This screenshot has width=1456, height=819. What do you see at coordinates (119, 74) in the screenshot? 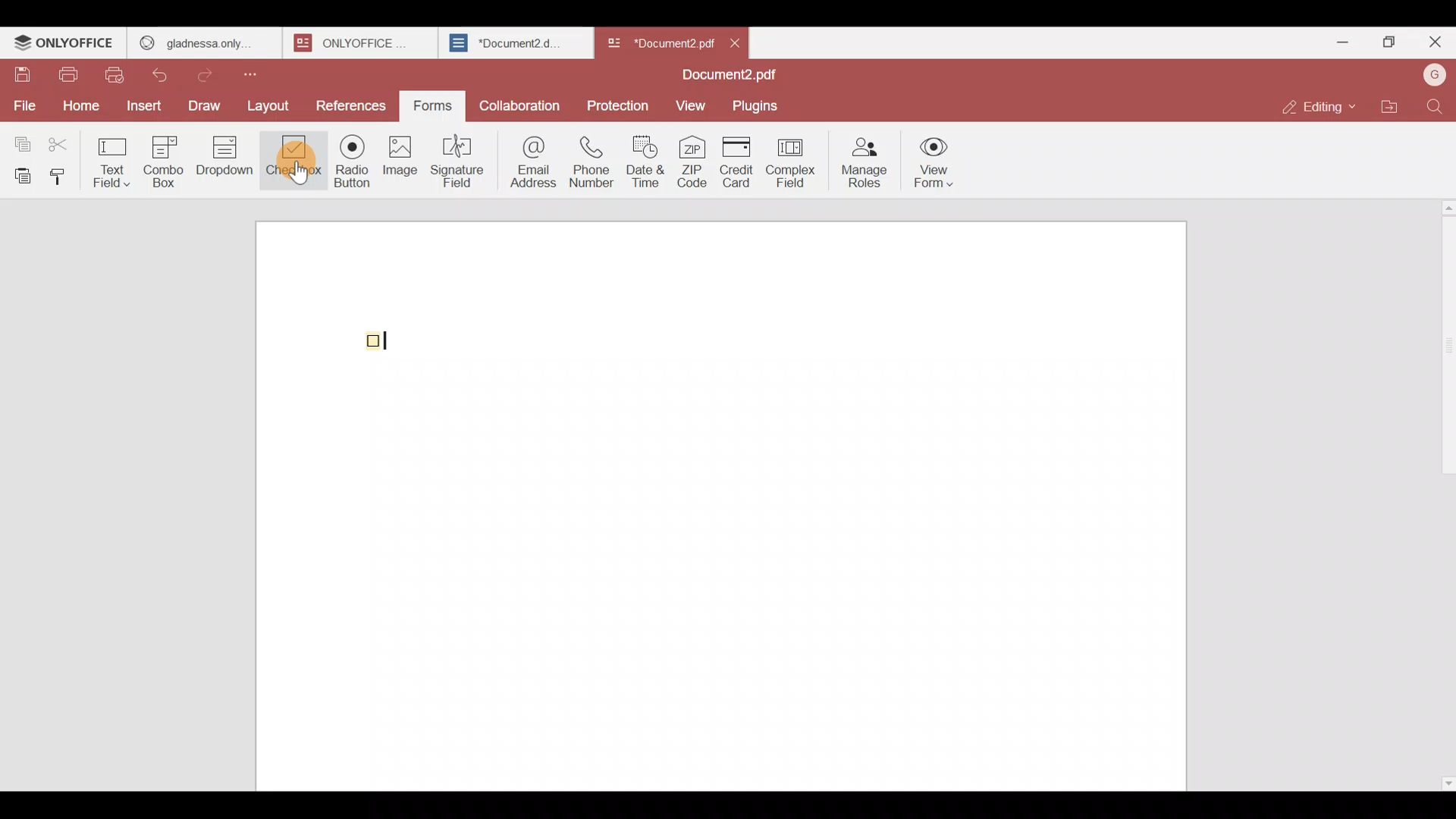
I see `Quick print` at bounding box center [119, 74].